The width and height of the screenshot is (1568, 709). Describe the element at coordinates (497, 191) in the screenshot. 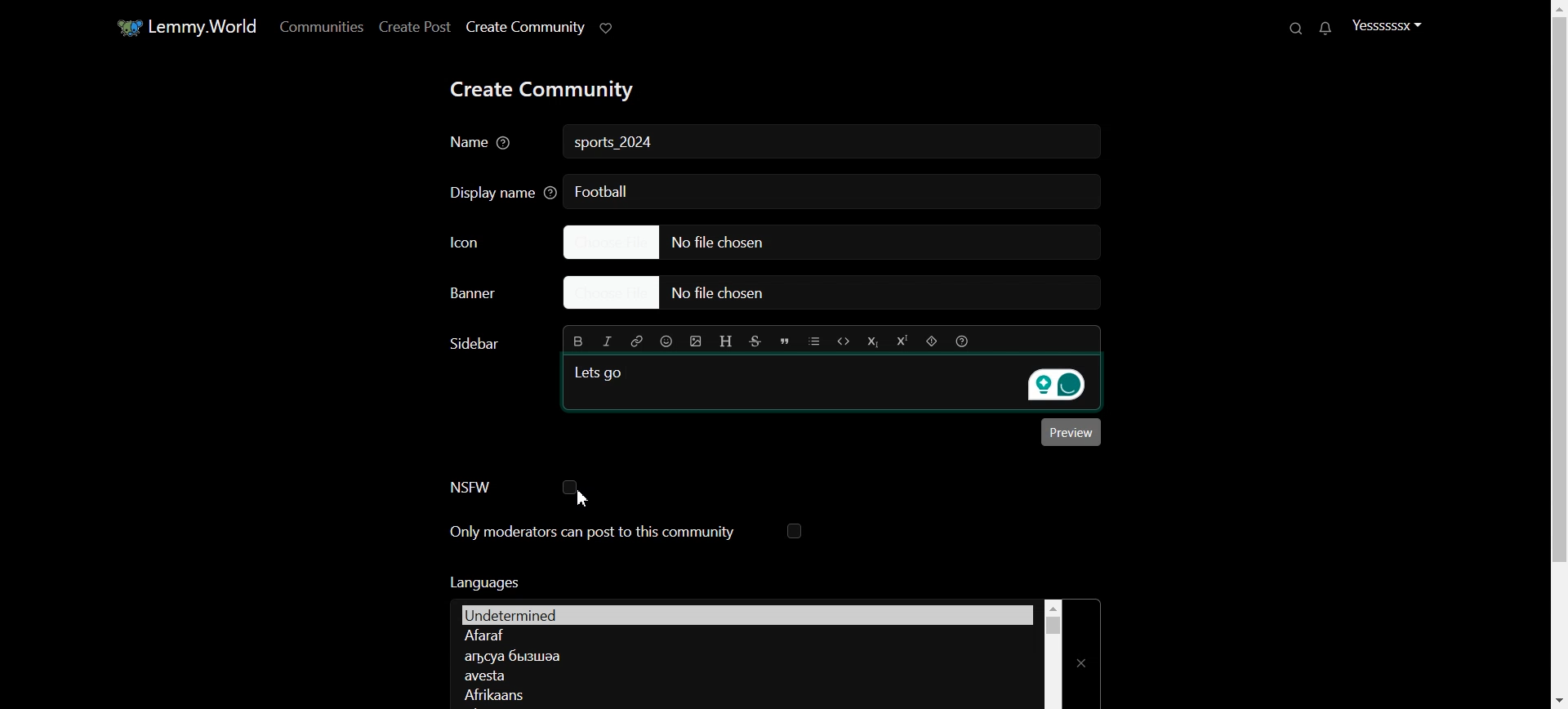

I see `Display name` at that location.